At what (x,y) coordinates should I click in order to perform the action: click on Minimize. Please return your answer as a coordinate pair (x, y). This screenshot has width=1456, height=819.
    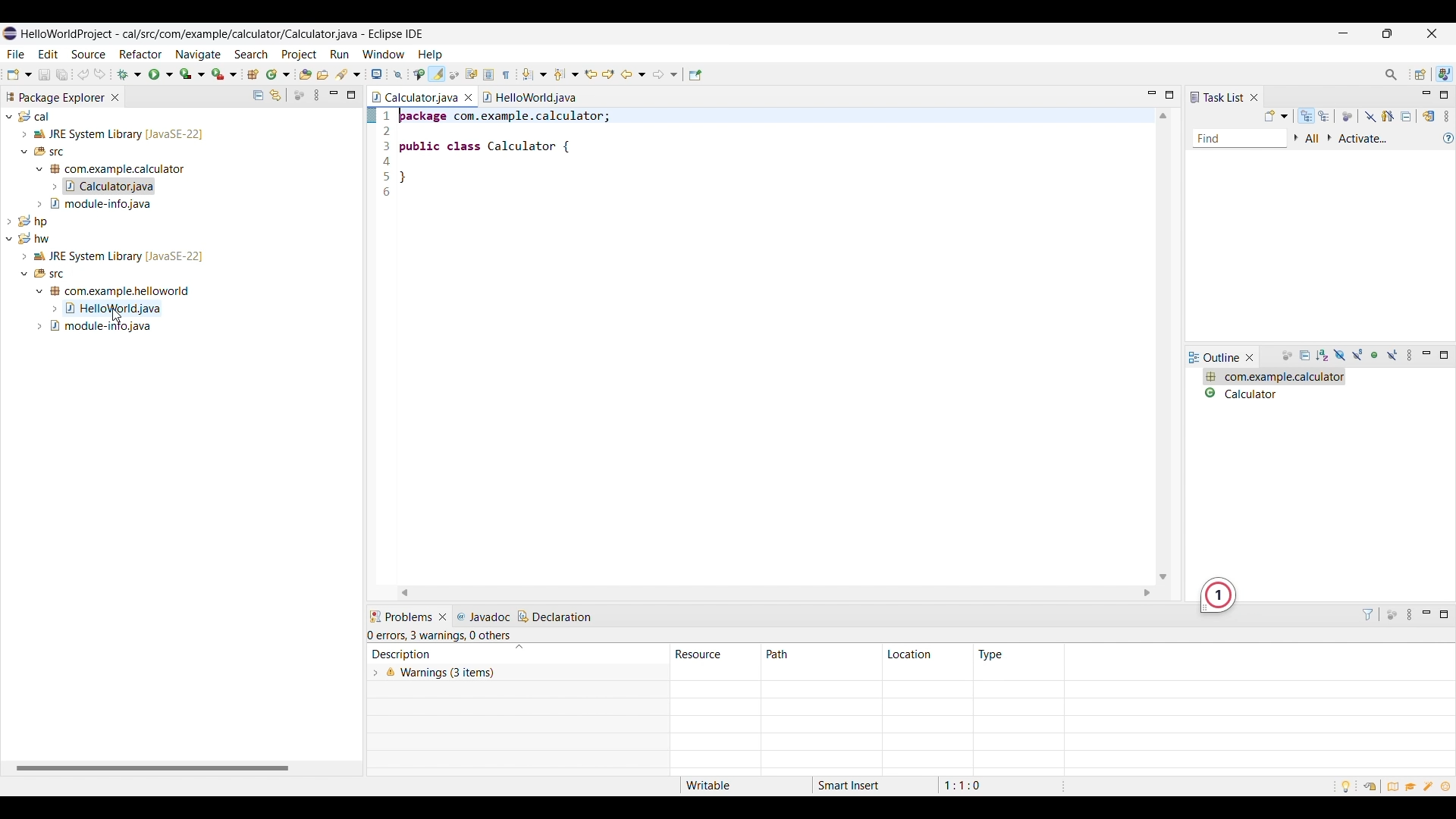
    Looking at the image, I should click on (1343, 33).